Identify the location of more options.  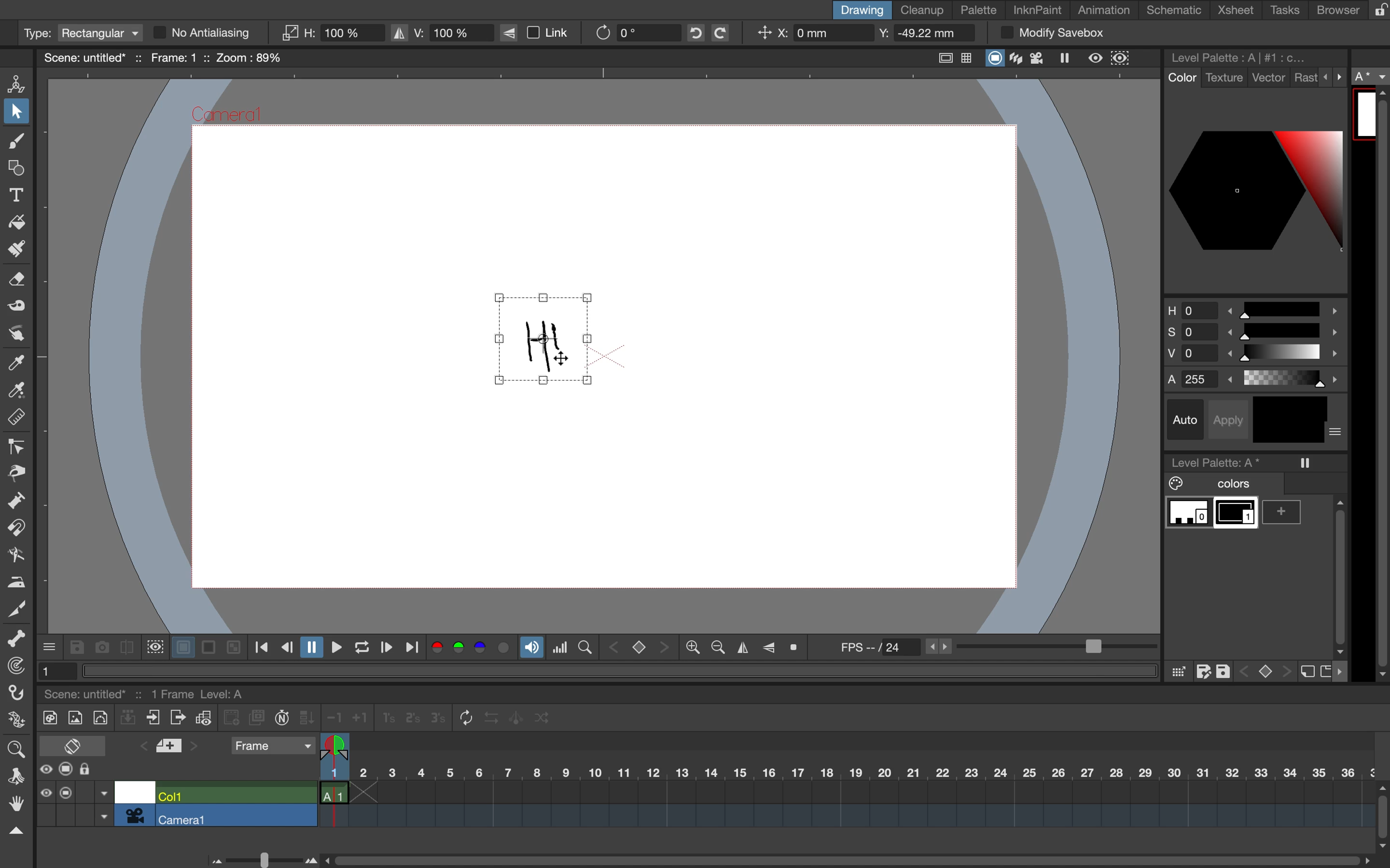
(50, 646).